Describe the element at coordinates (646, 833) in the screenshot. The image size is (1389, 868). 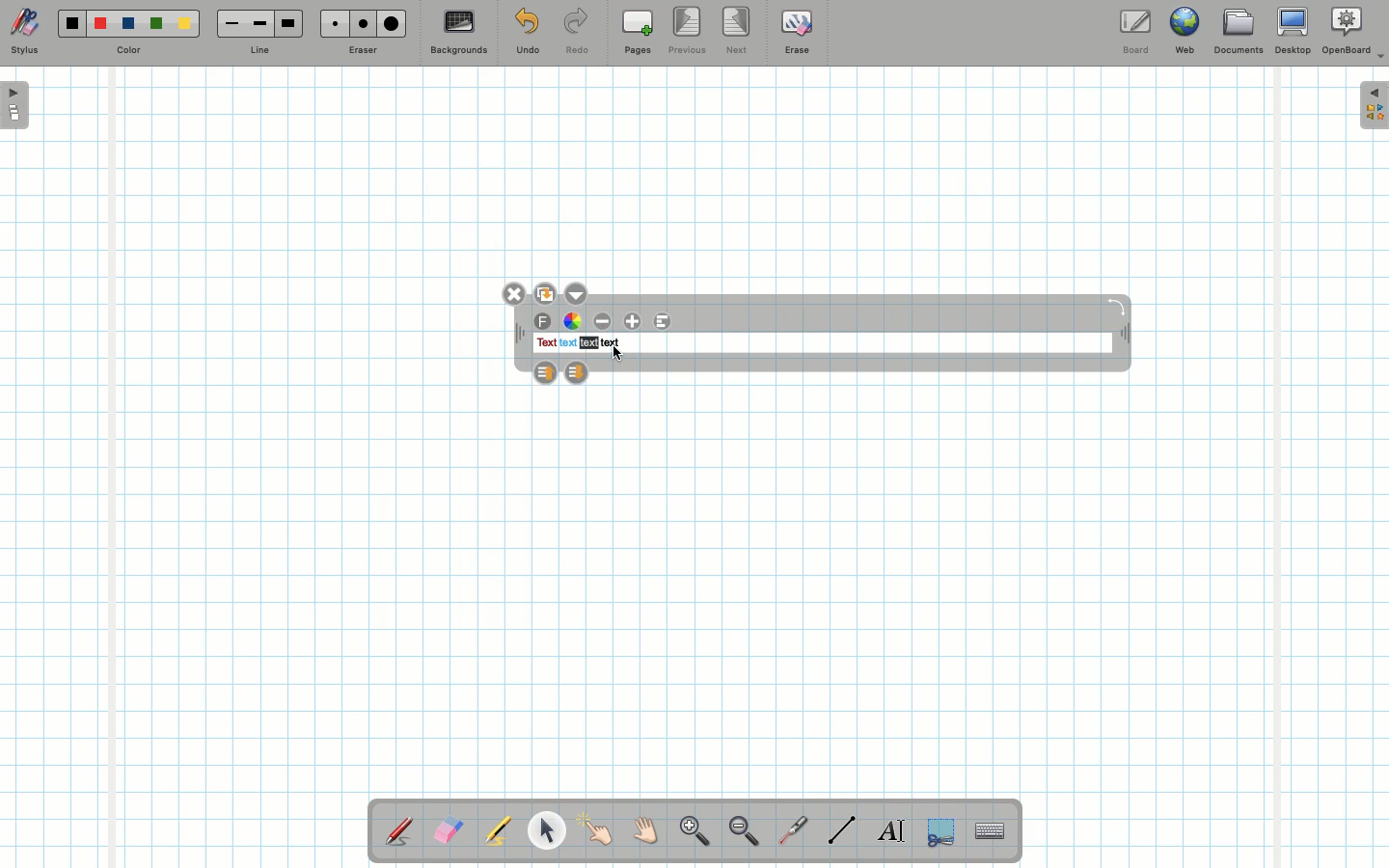
I see `Grab` at that location.